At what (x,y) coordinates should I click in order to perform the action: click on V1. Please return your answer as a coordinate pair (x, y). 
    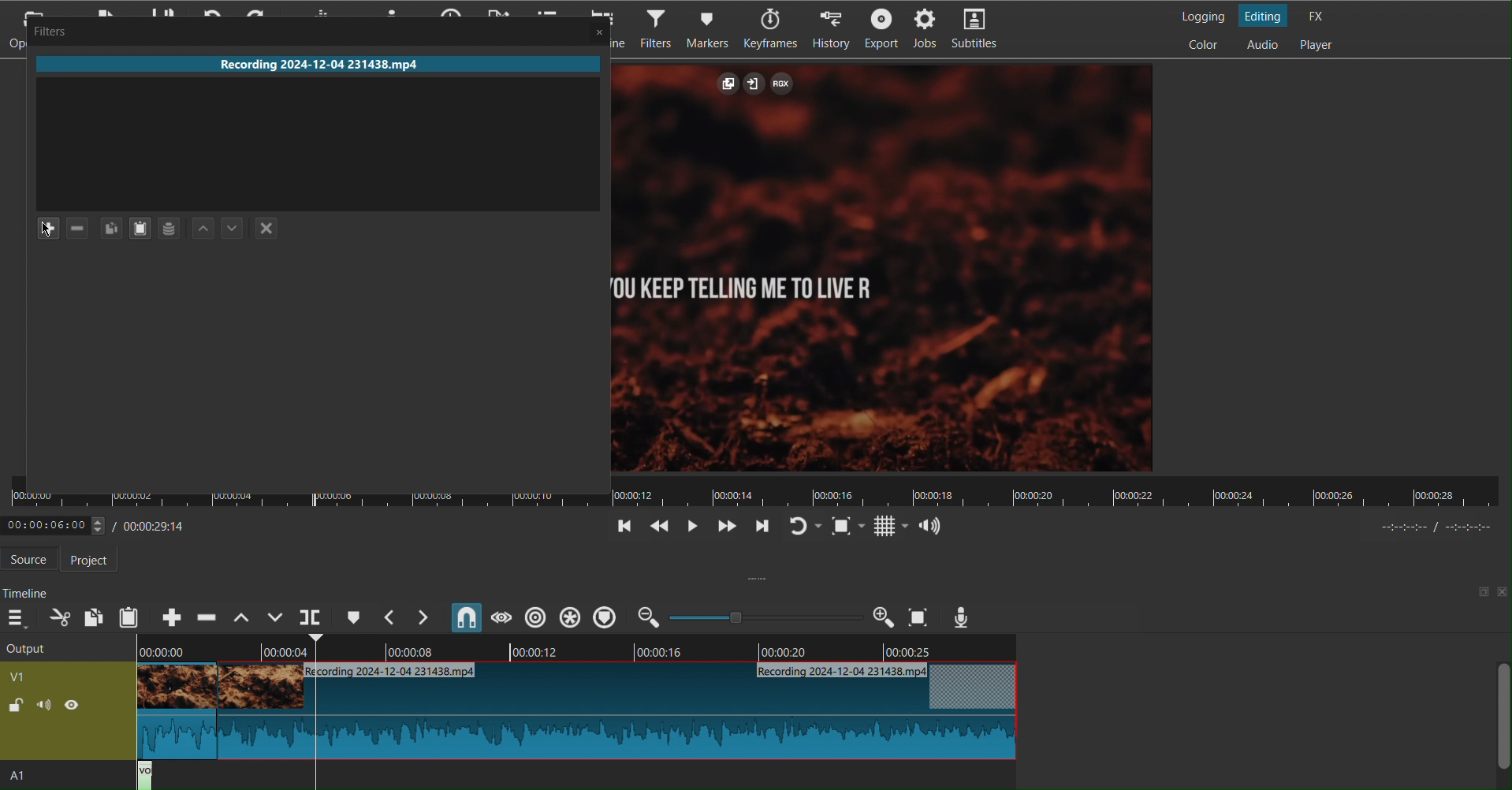
    Looking at the image, I should click on (44, 674).